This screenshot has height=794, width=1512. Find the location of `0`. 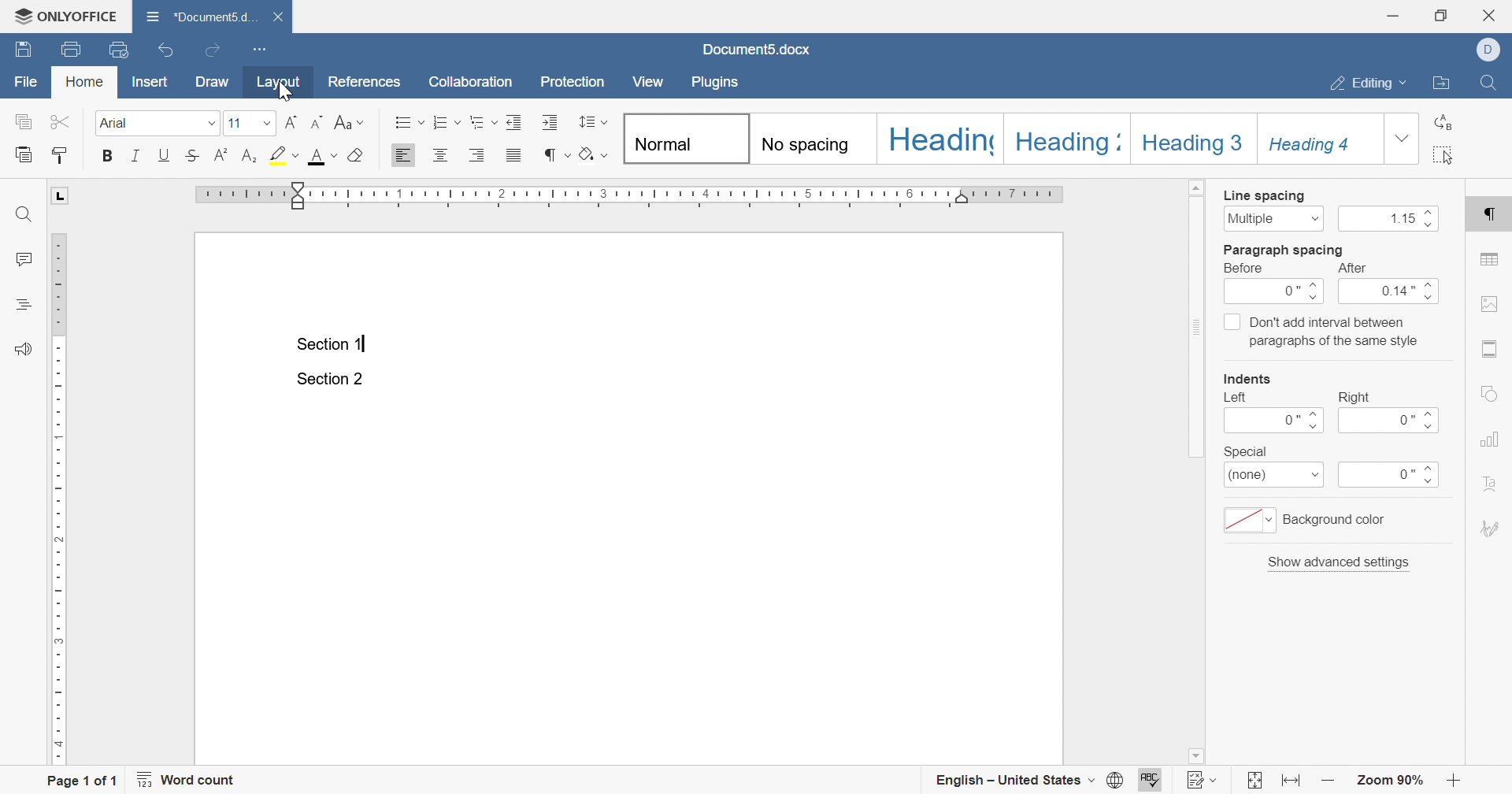

0 is located at coordinates (1390, 476).